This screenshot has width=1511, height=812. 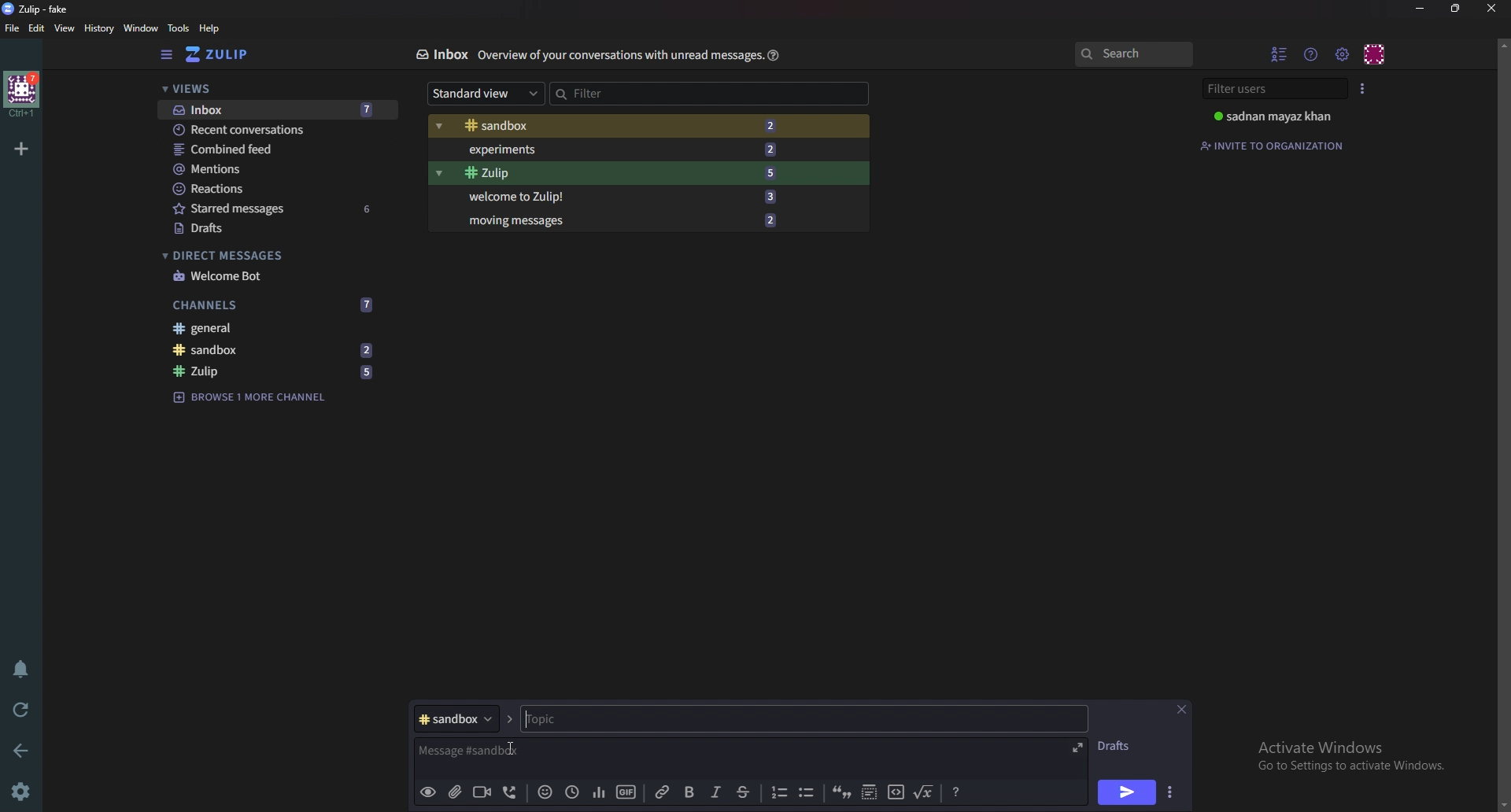 I want to click on expand, so click(x=1075, y=747).